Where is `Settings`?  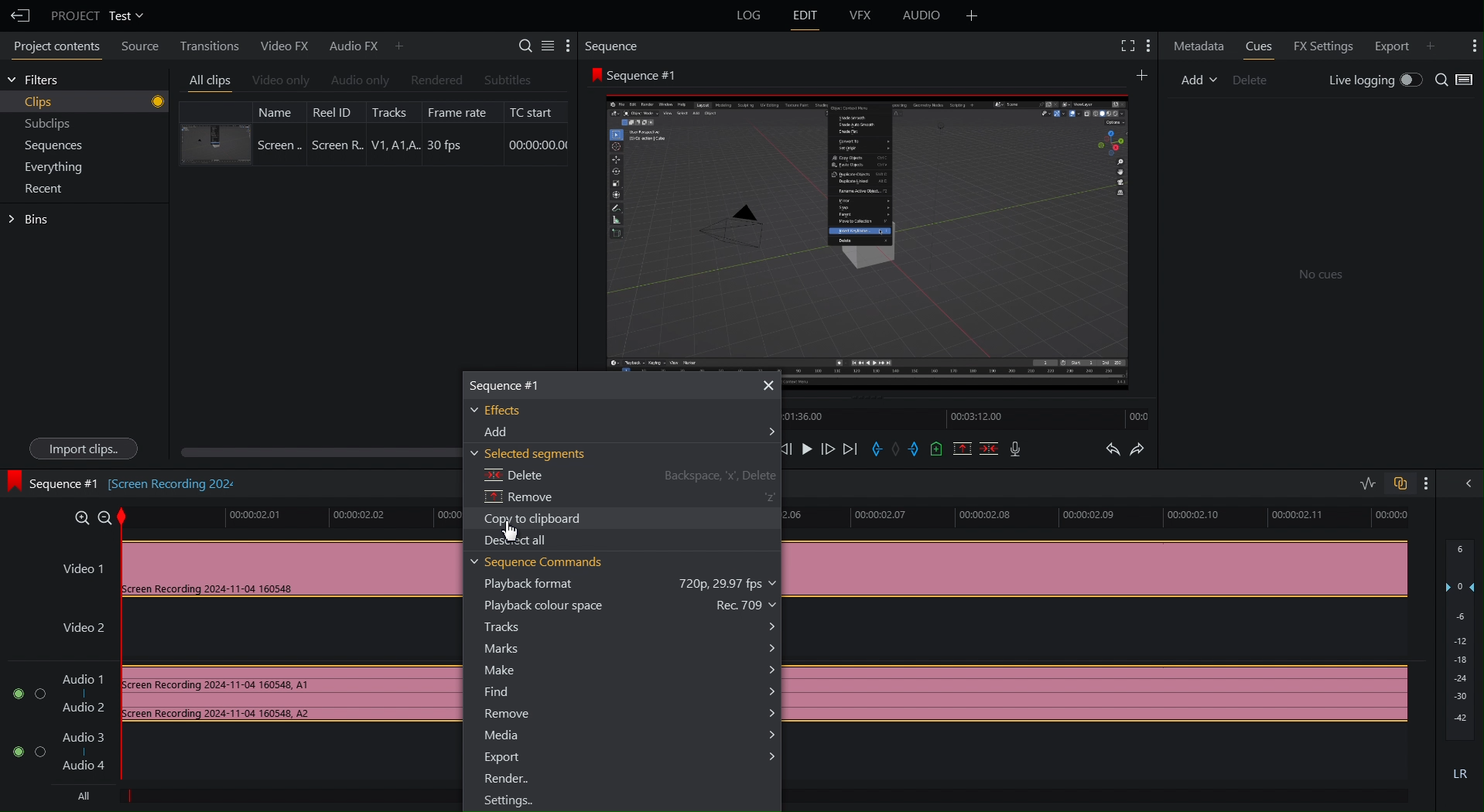 Settings is located at coordinates (508, 800).